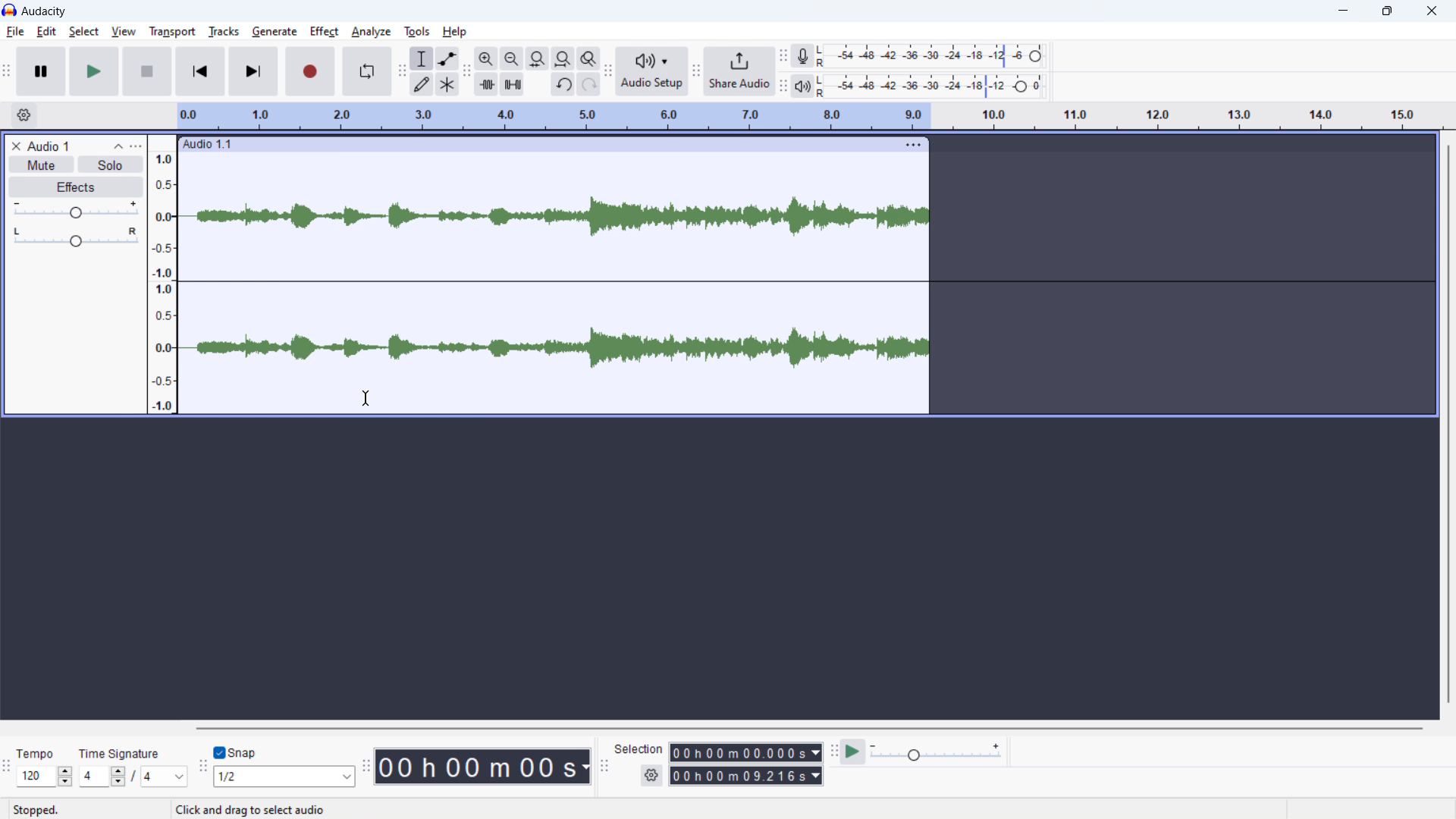 This screenshot has width=1456, height=819. What do you see at coordinates (366, 398) in the screenshot?
I see `cursor` at bounding box center [366, 398].